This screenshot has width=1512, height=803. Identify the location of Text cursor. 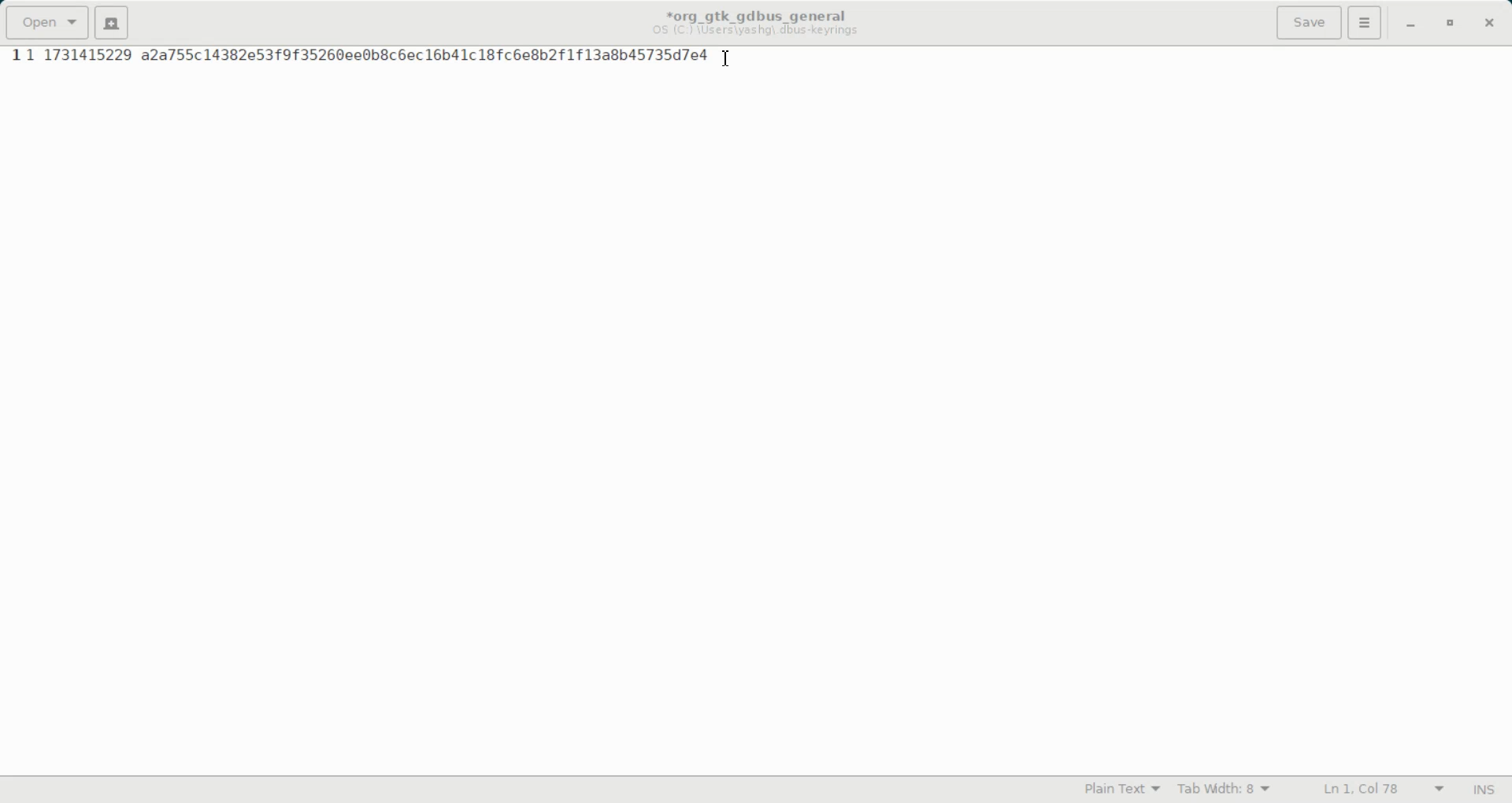
(728, 59).